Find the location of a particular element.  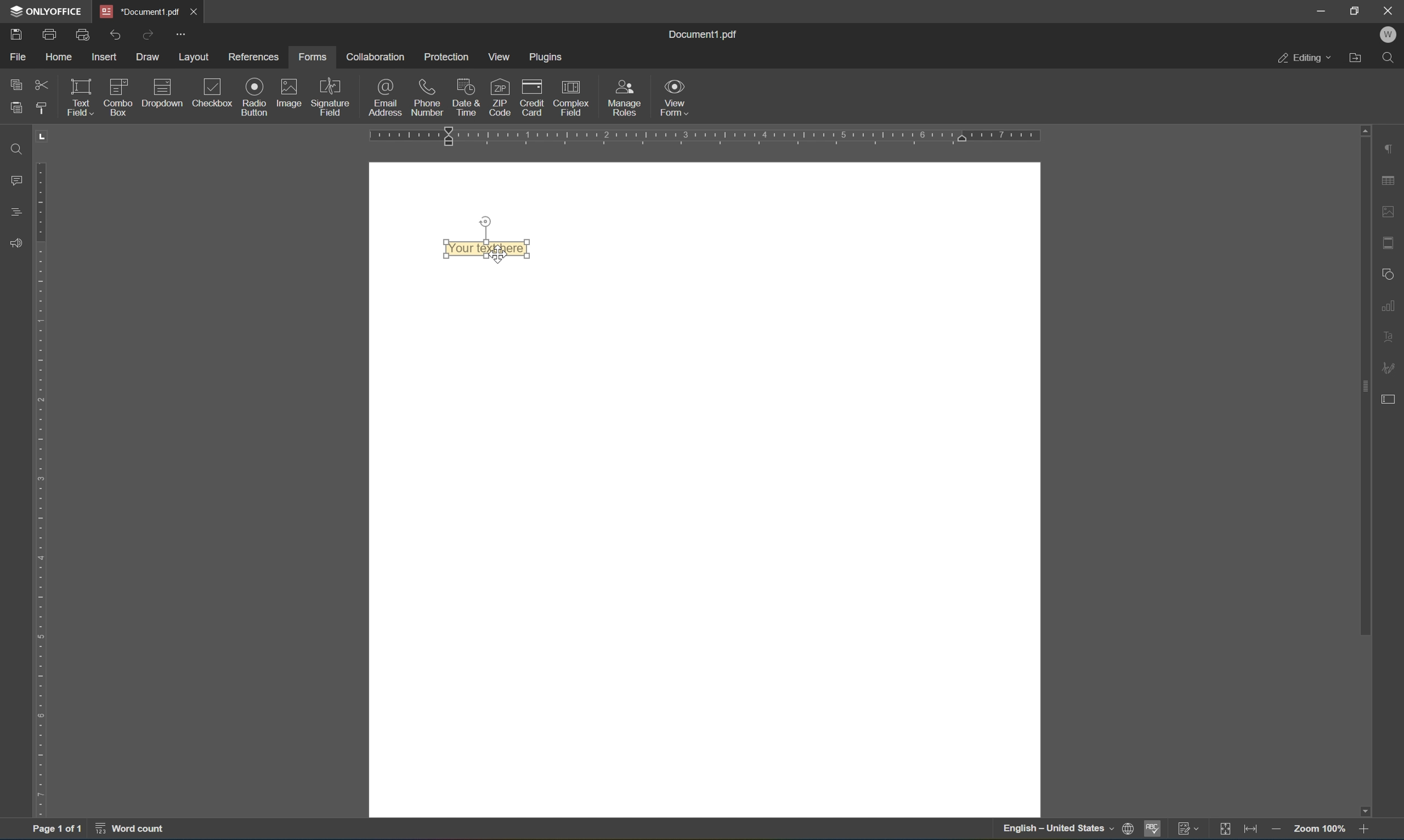

scroll bar is located at coordinates (1359, 380).